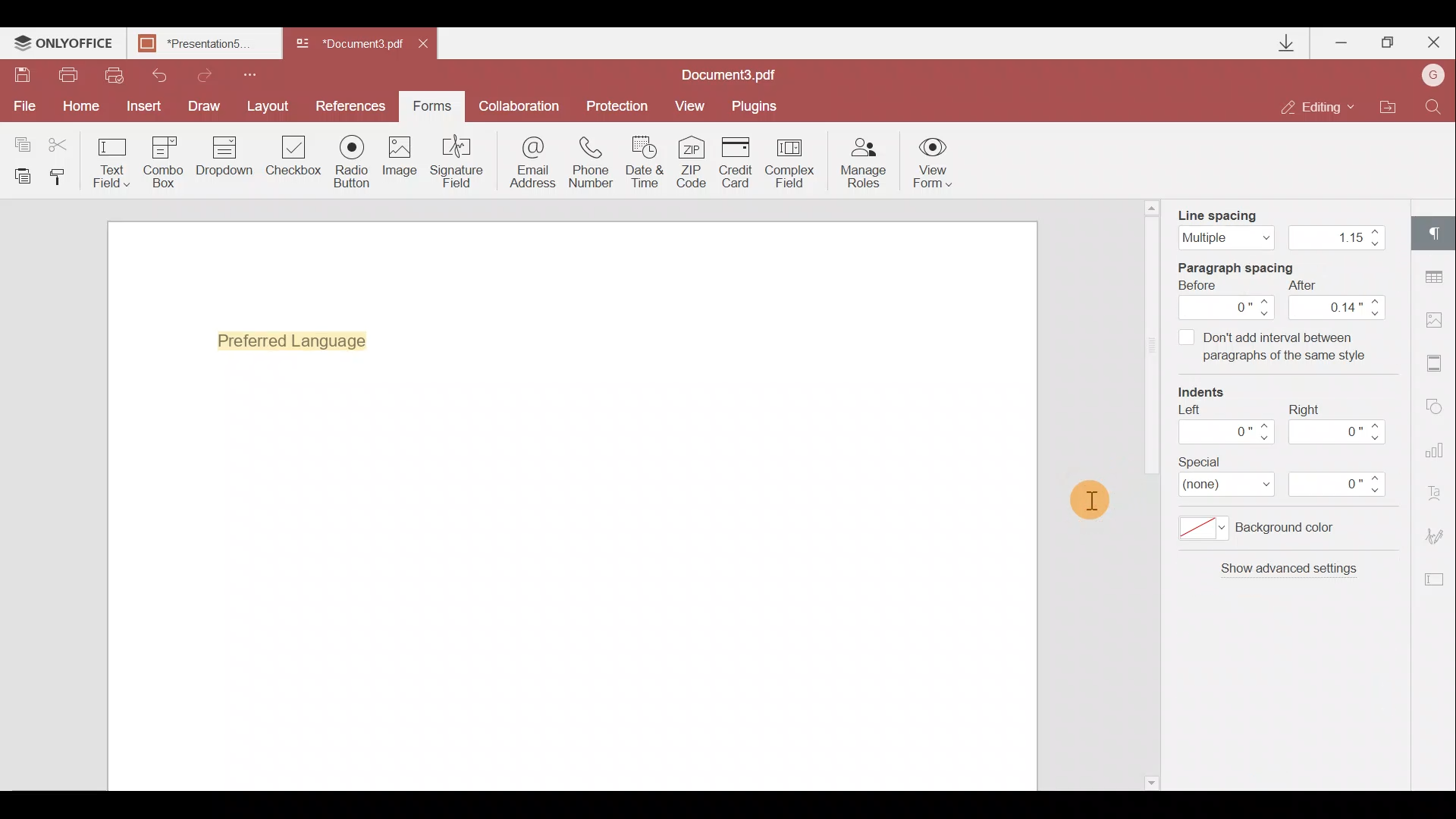 The width and height of the screenshot is (1456, 819). What do you see at coordinates (112, 74) in the screenshot?
I see `Quick print` at bounding box center [112, 74].